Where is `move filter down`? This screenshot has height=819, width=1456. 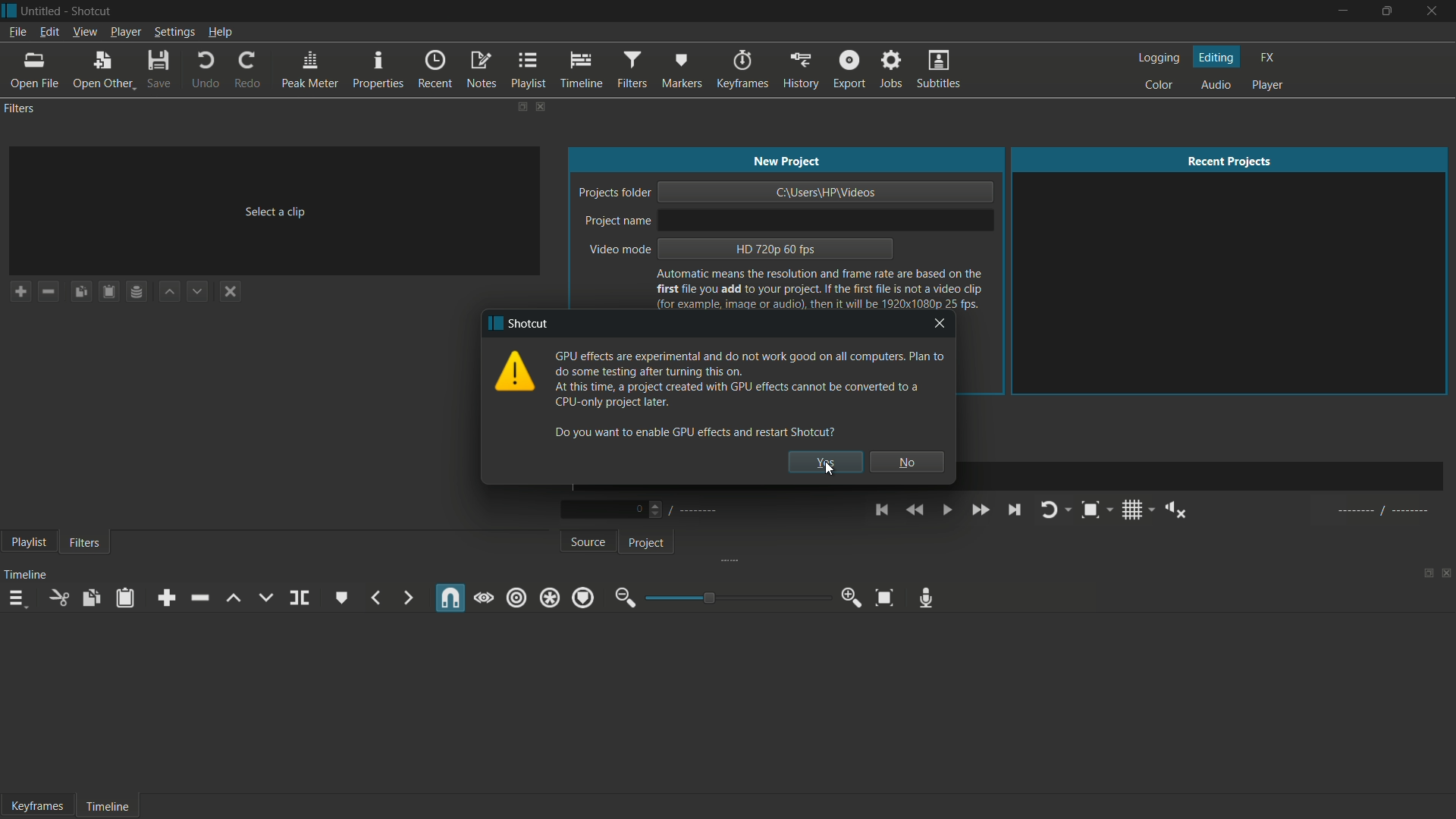 move filter down is located at coordinates (199, 292).